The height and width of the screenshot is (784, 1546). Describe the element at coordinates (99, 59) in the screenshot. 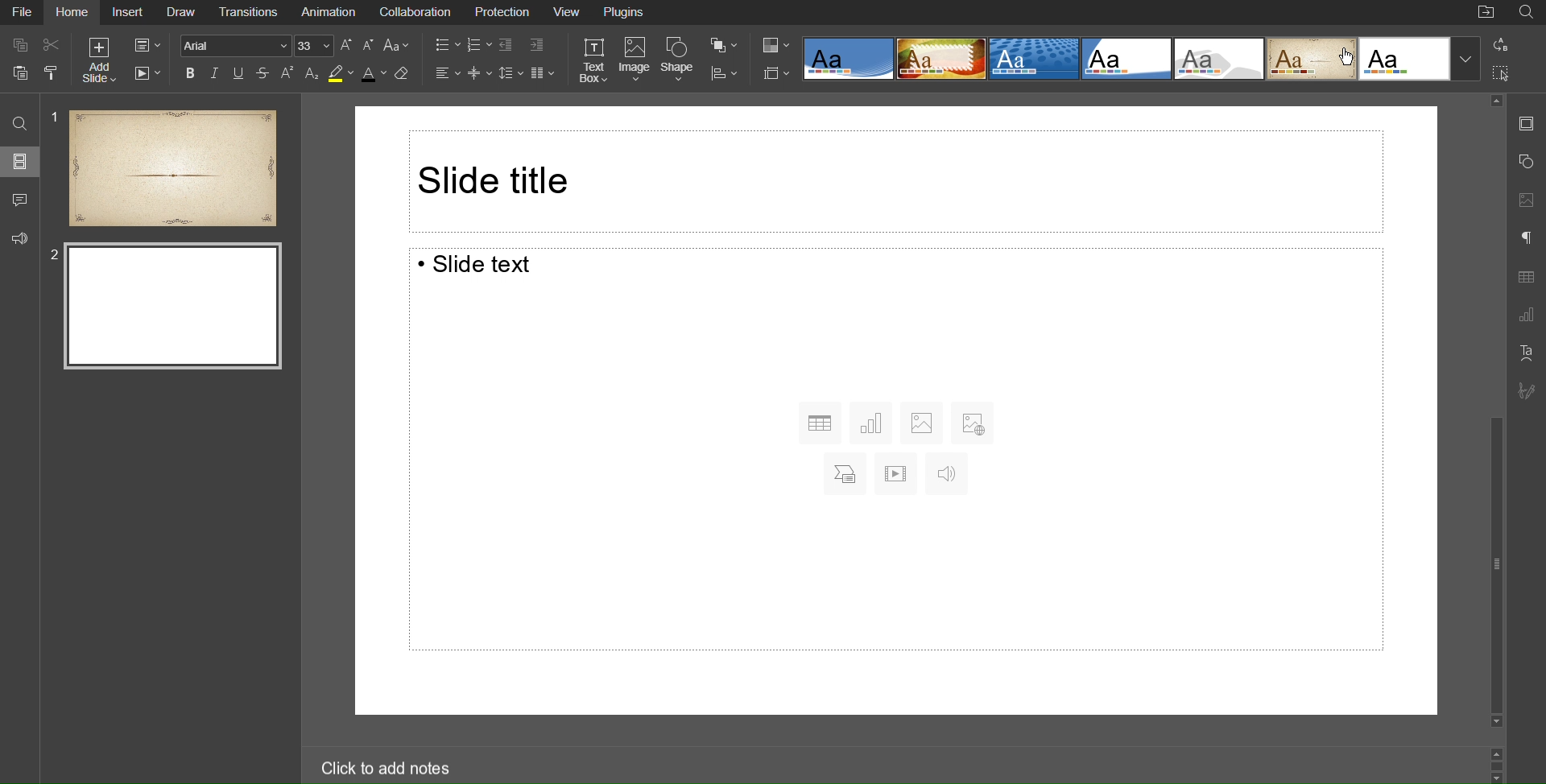

I see `Add Slide` at that location.